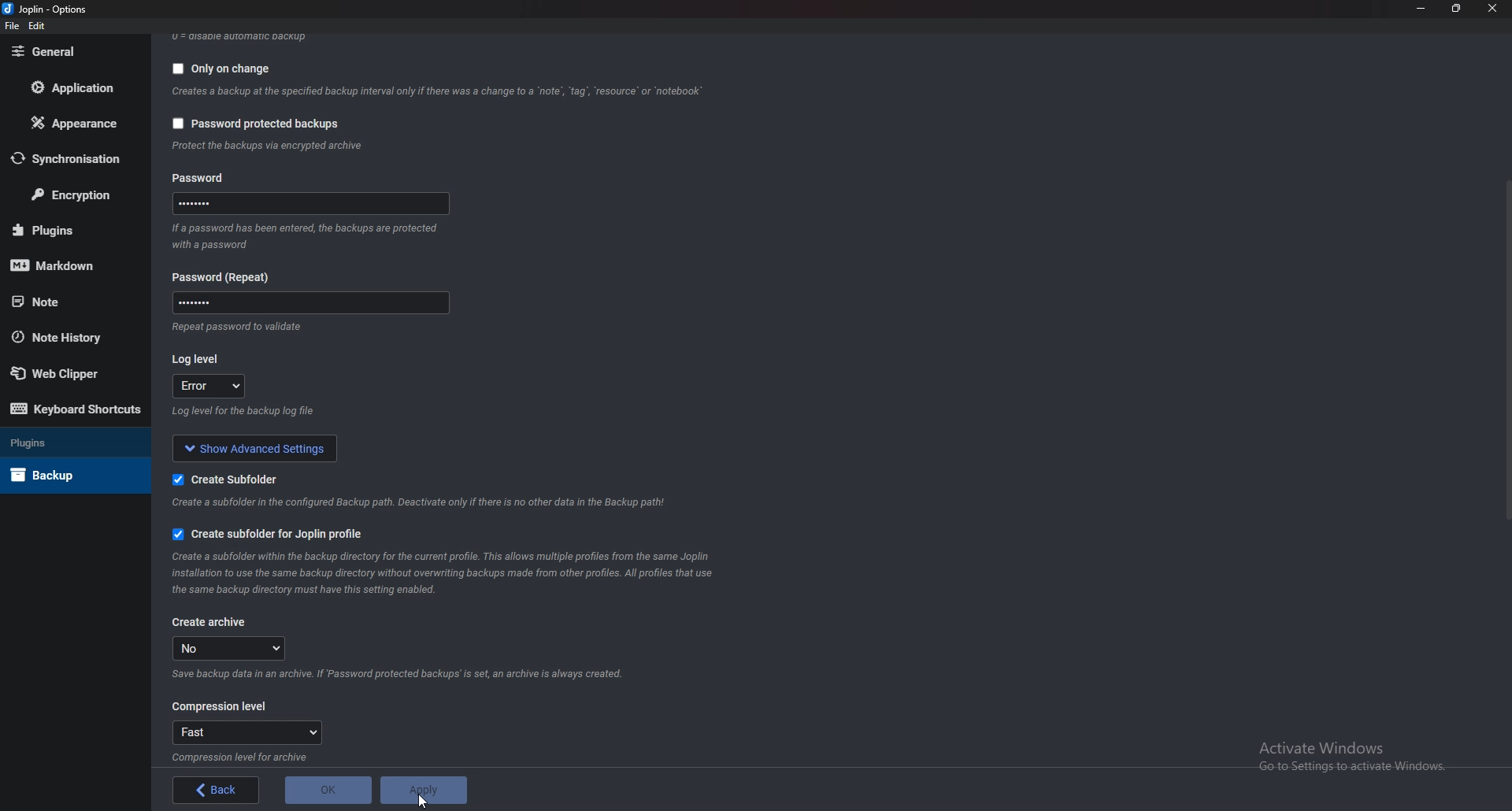 The height and width of the screenshot is (811, 1512). What do you see at coordinates (72, 409) in the screenshot?
I see `Keyboard shortcuts` at bounding box center [72, 409].